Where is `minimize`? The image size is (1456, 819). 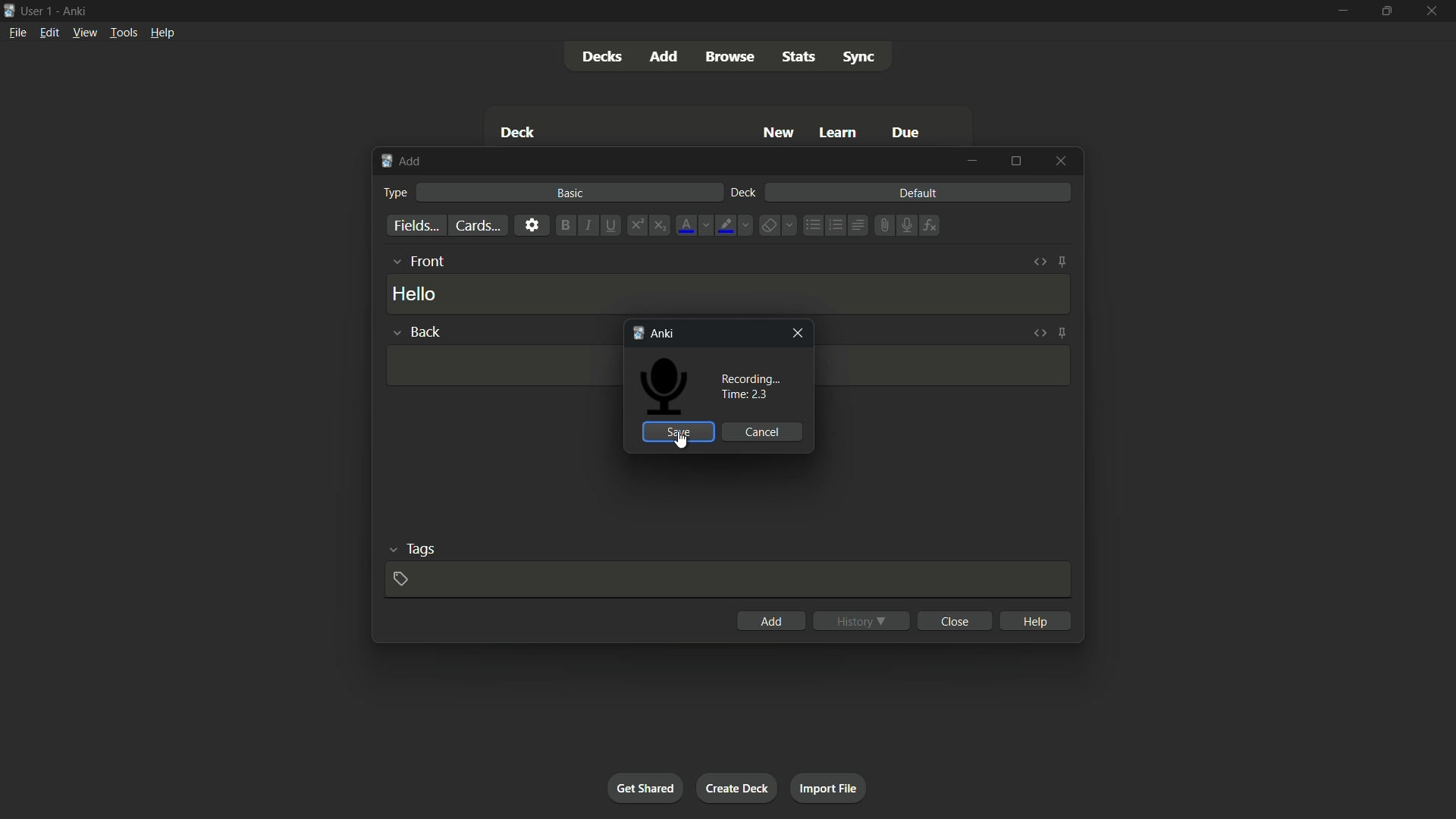
minimize is located at coordinates (1341, 11).